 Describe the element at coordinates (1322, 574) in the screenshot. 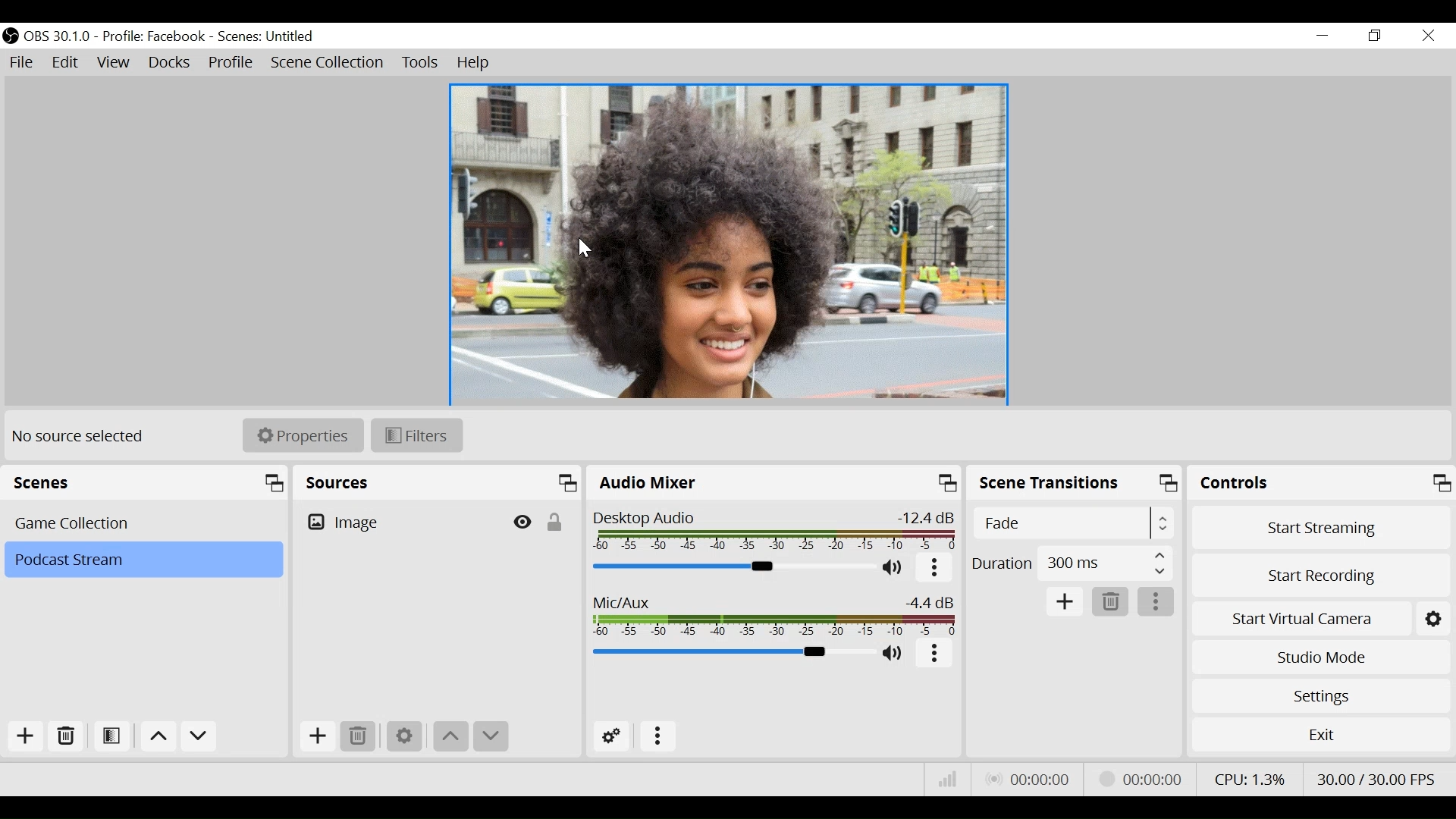

I see `Start Recording` at that location.